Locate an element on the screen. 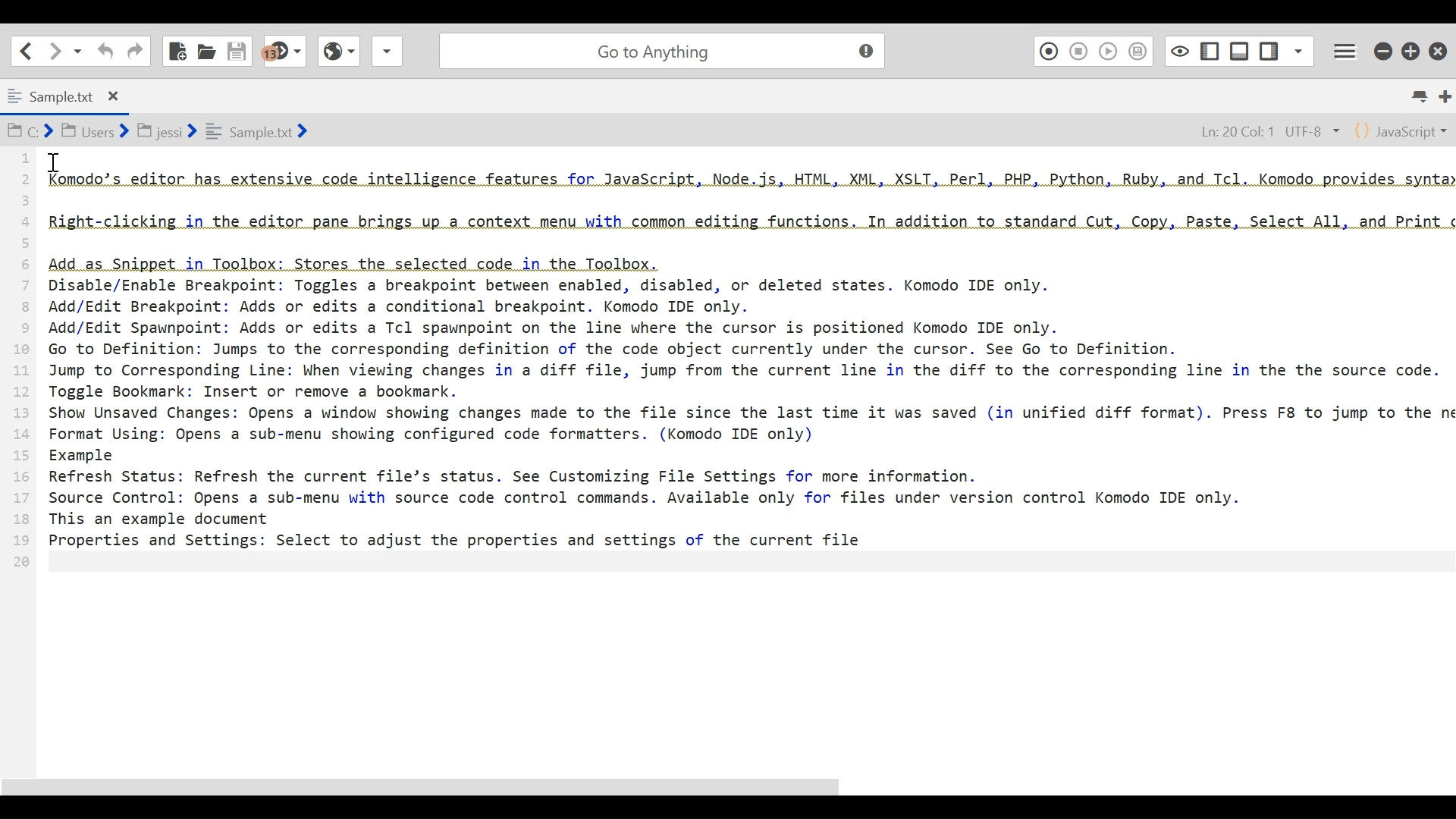  Play Last Macro is located at coordinates (1108, 50).